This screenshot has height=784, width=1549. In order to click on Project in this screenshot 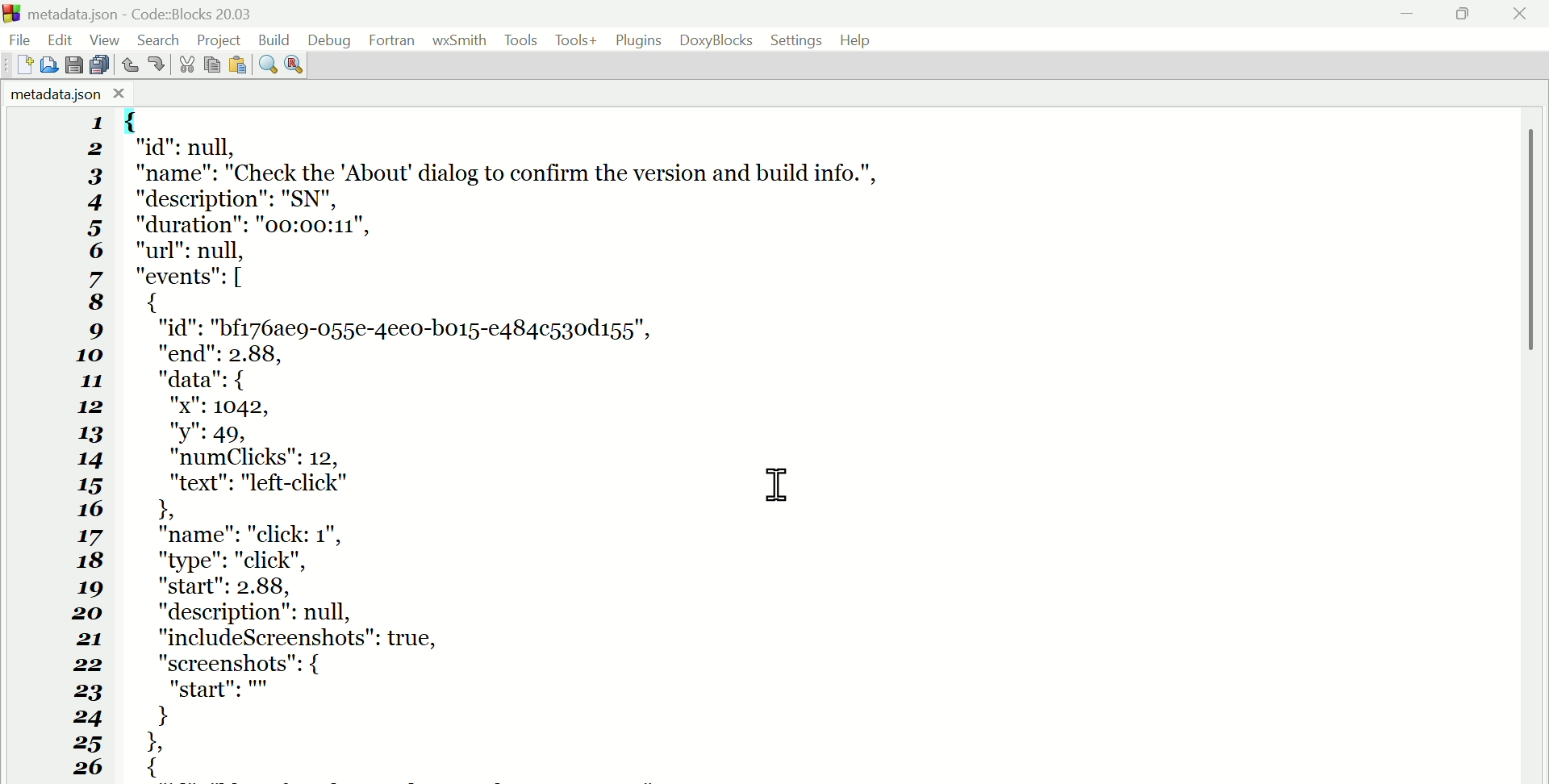, I will do `click(221, 38)`.